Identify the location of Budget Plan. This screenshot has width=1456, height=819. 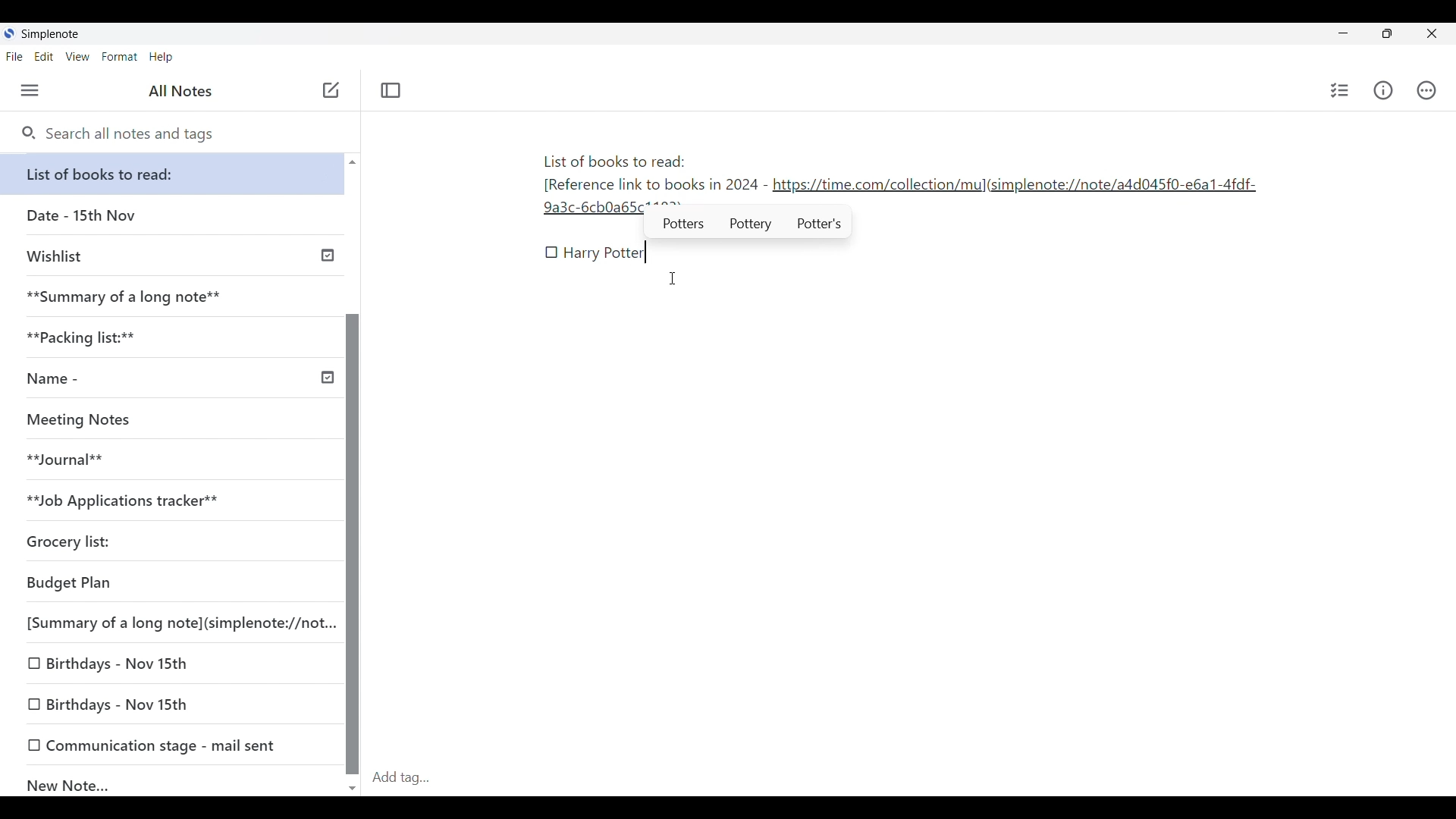
(170, 584).